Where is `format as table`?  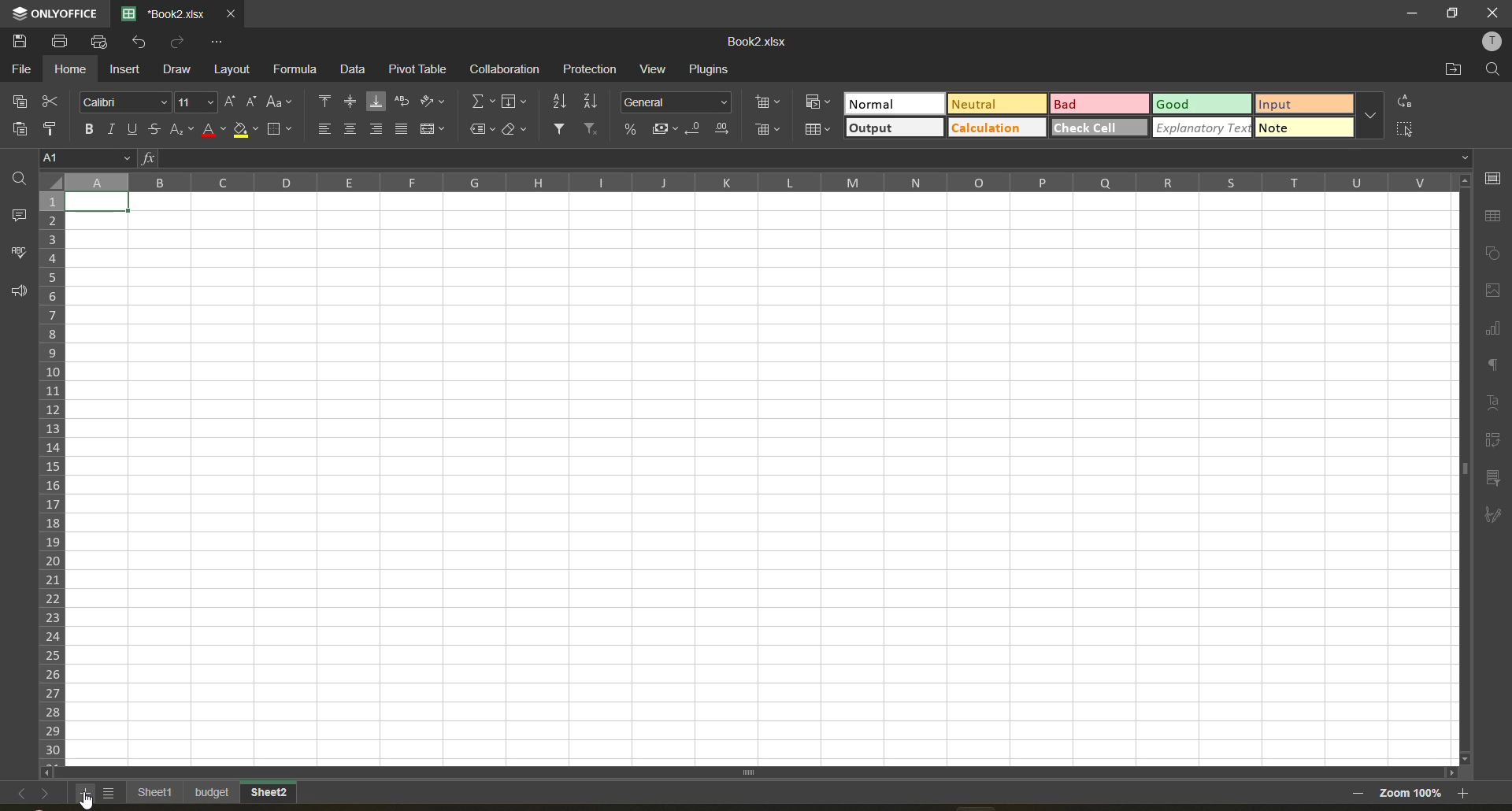
format as table is located at coordinates (821, 131).